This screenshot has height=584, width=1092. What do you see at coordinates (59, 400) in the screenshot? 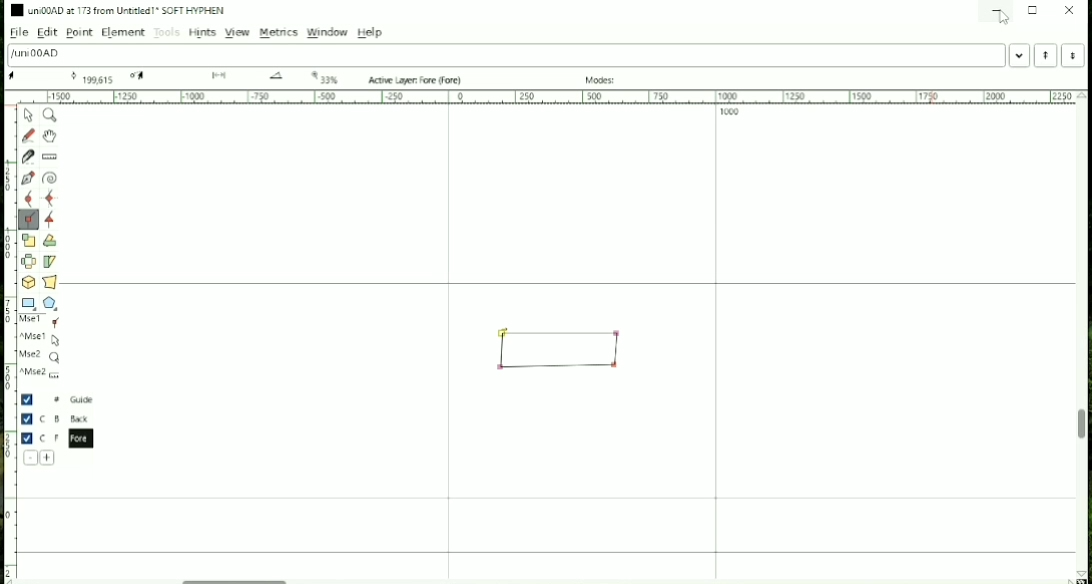
I see `Guide` at bounding box center [59, 400].